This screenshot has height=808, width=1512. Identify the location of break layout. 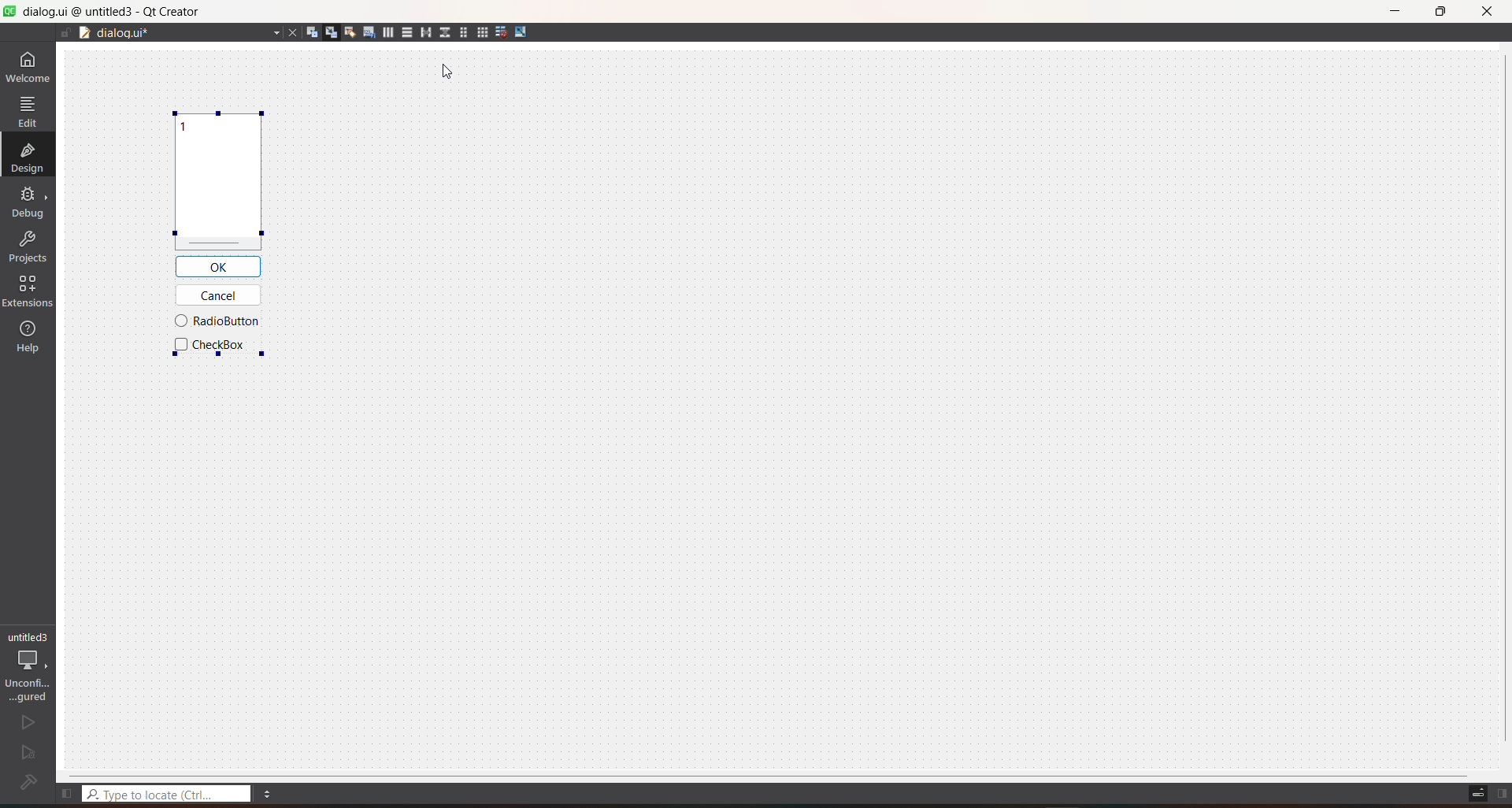
(501, 33).